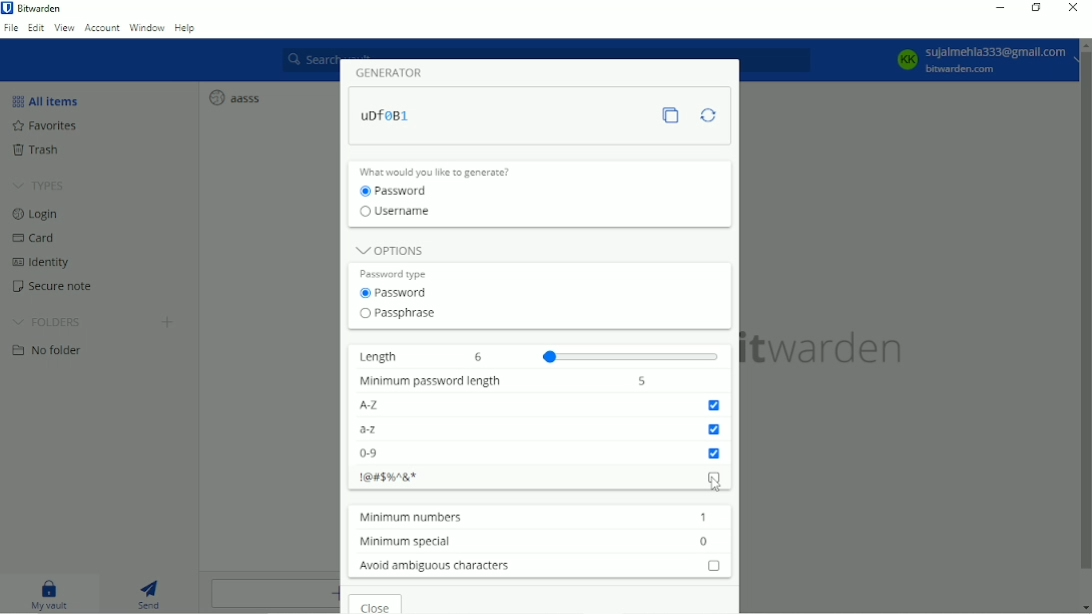 The image size is (1092, 614). What do you see at coordinates (63, 286) in the screenshot?
I see `Secure note` at bounding box center [63, 286].